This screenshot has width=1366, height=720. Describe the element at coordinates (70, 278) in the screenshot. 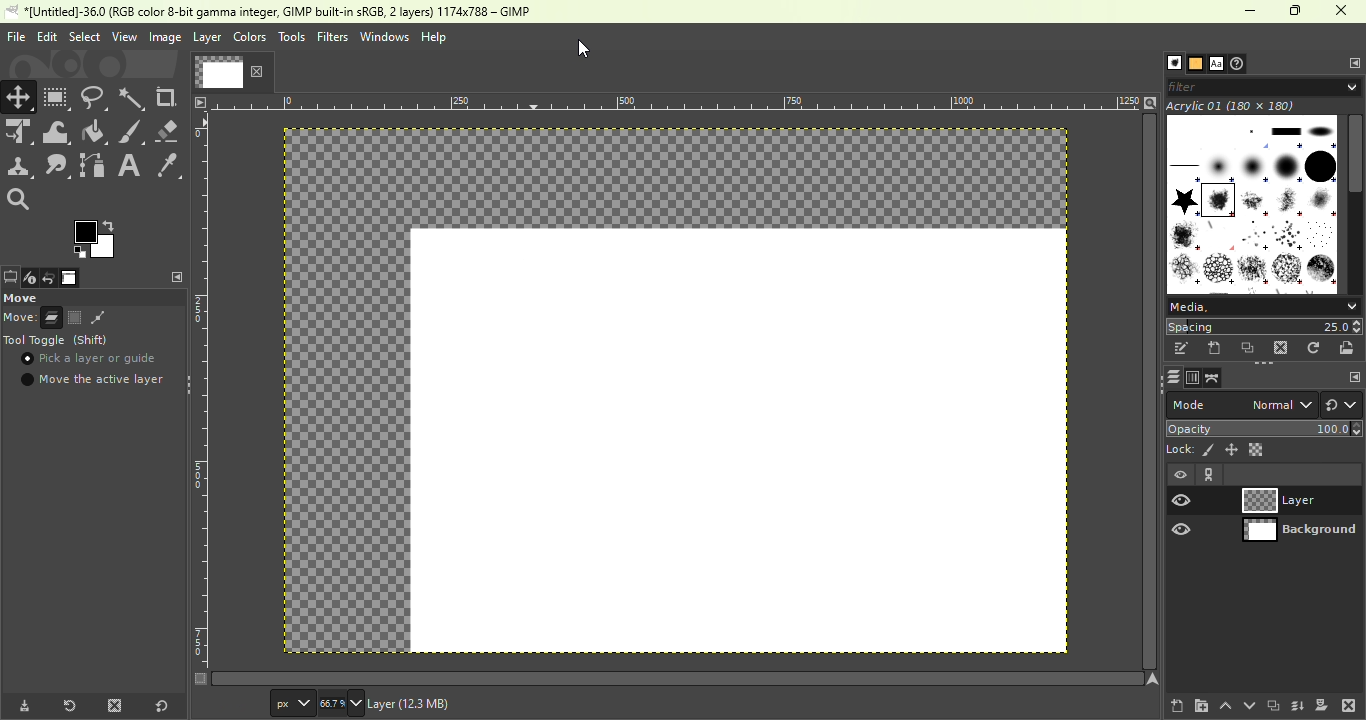

I see `Image` at that location.